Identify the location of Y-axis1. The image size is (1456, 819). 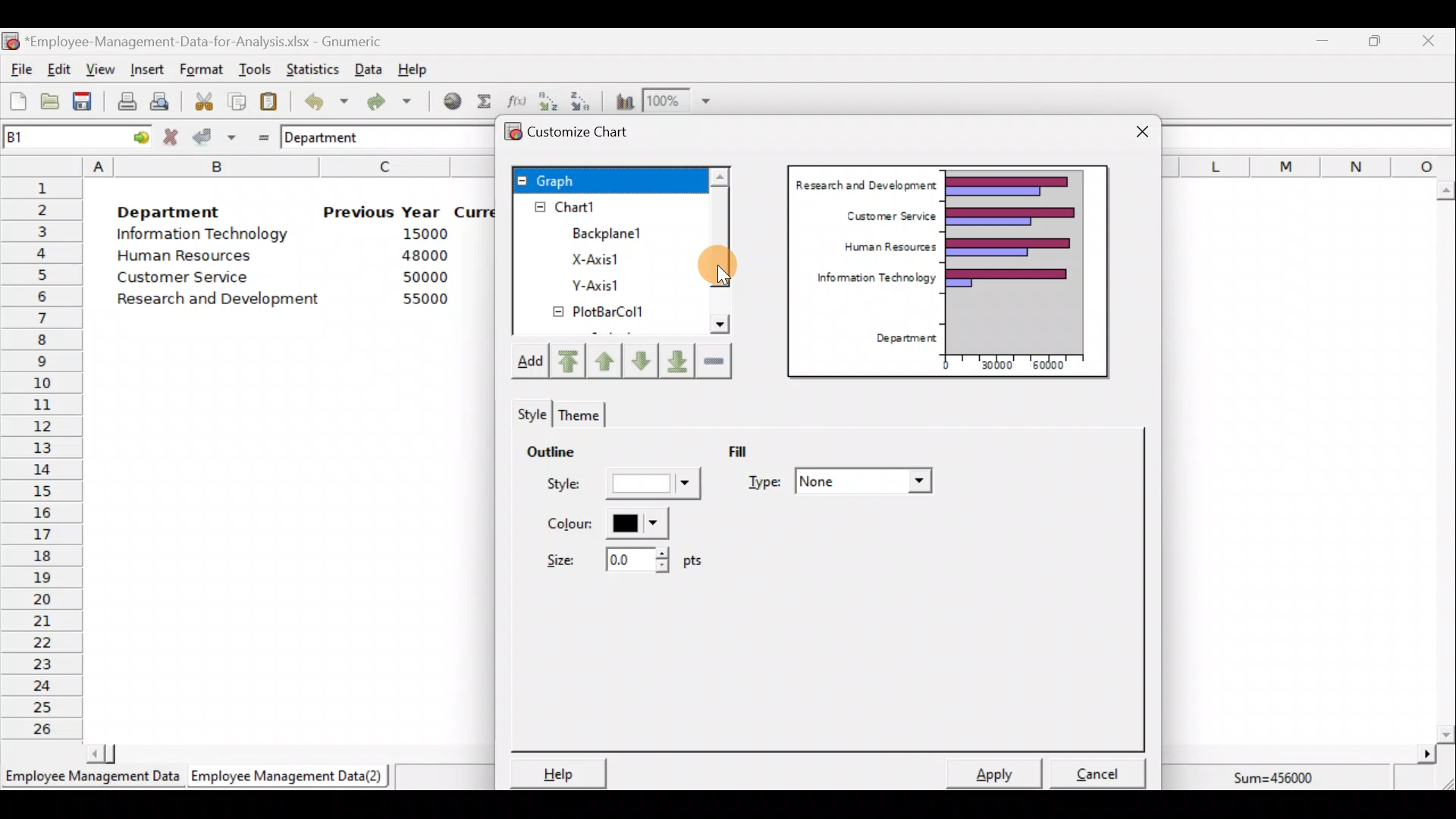
(608, 285).